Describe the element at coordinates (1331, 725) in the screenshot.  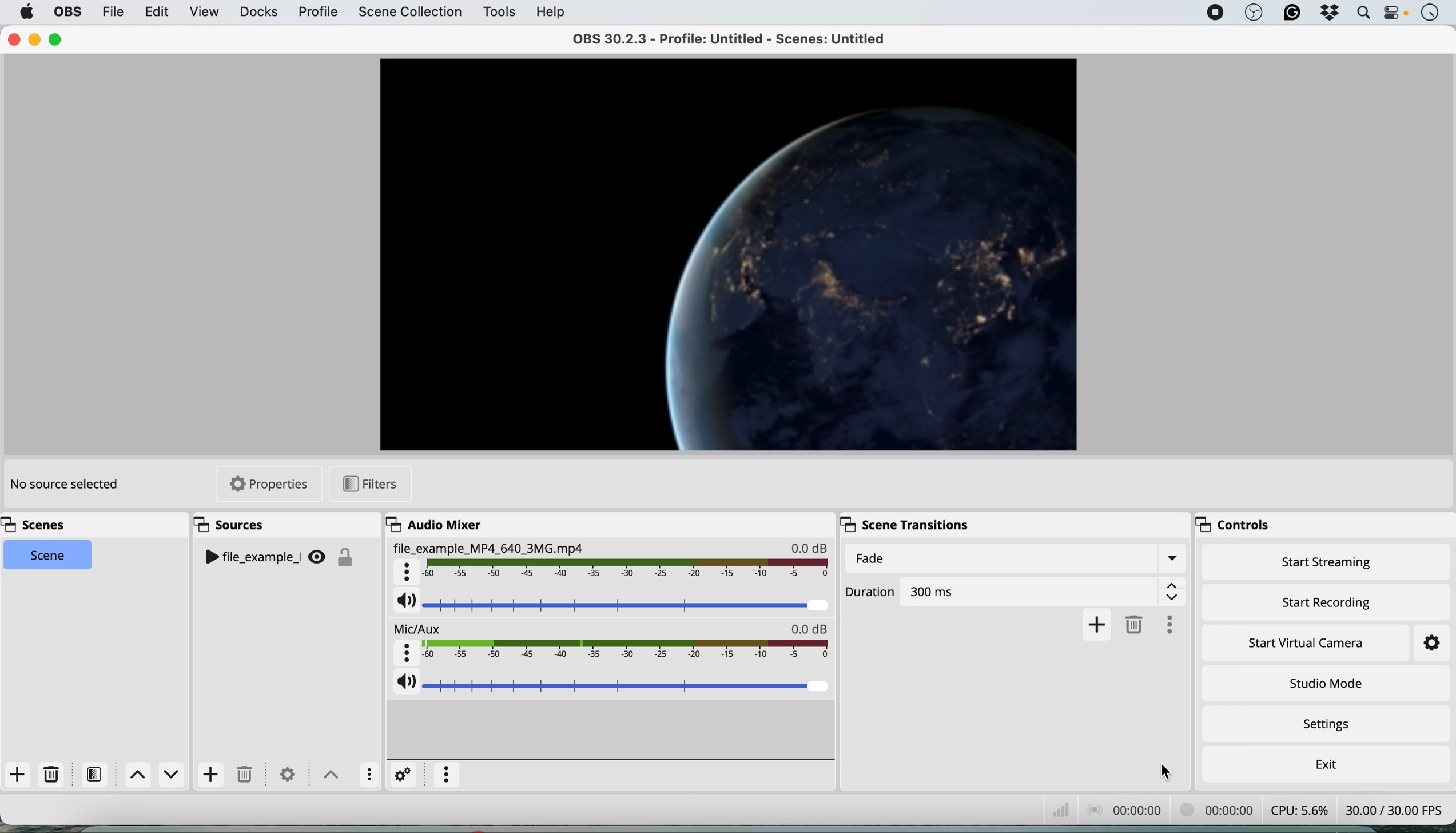
I see `settings` at that location.